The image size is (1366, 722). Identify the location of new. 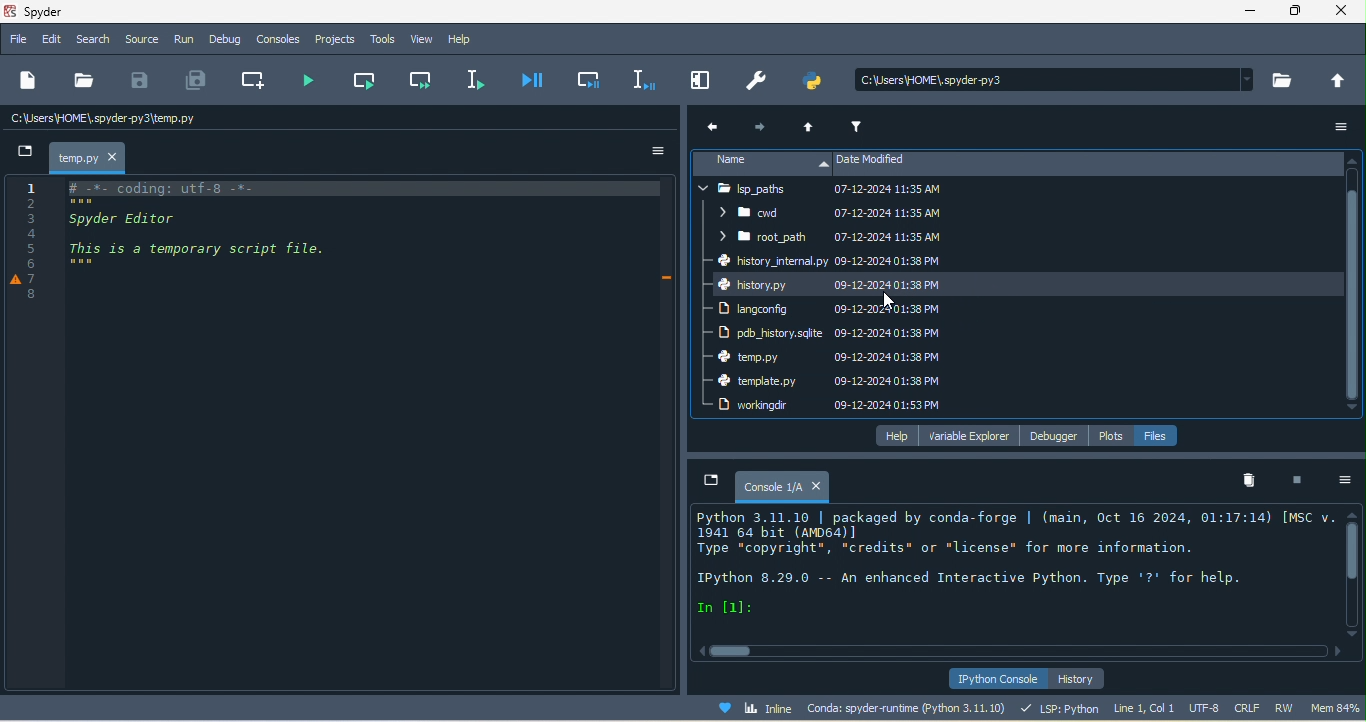
(34, 80).